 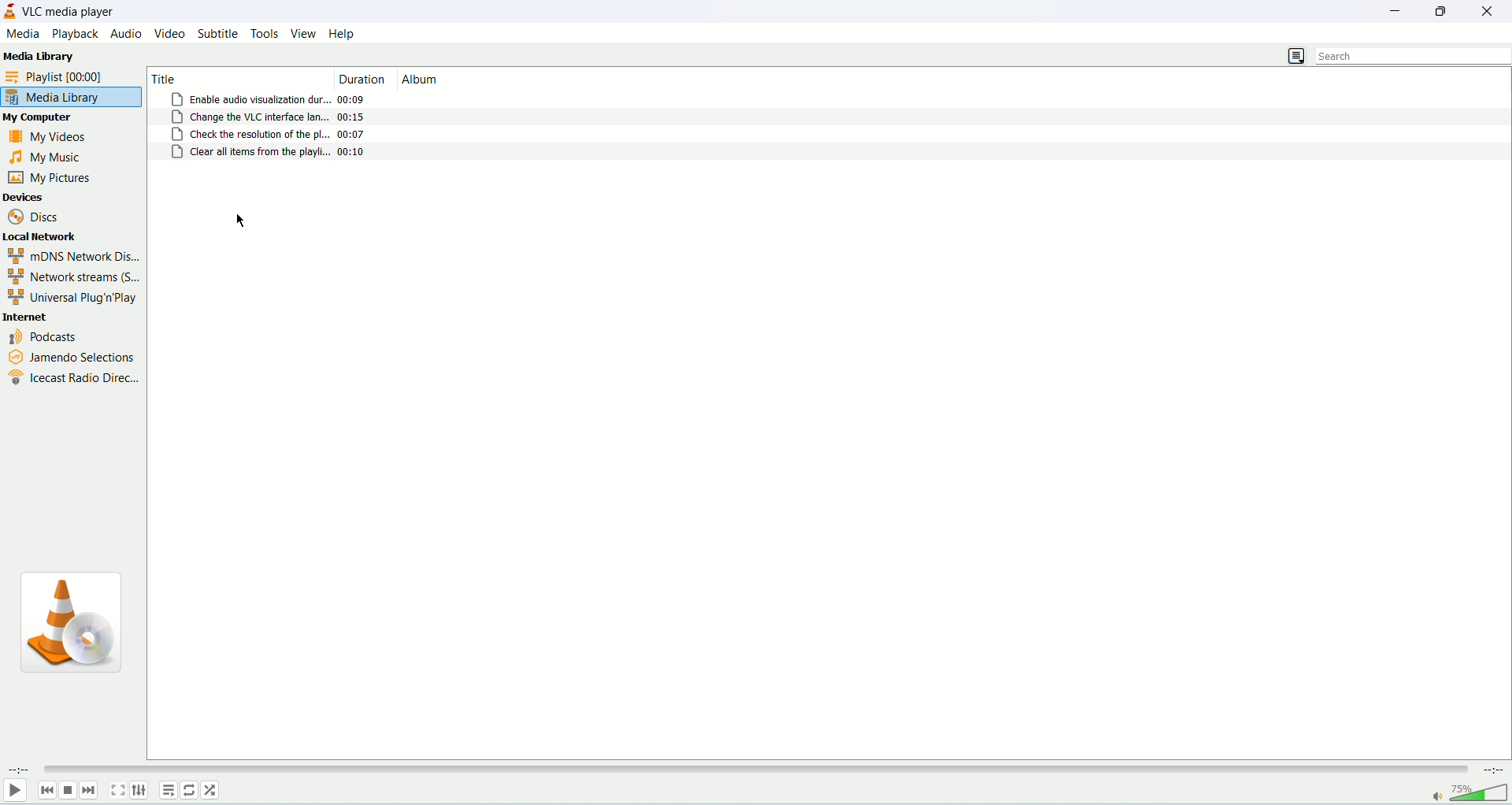 I want to click on played time, so click(x=17, y=768).